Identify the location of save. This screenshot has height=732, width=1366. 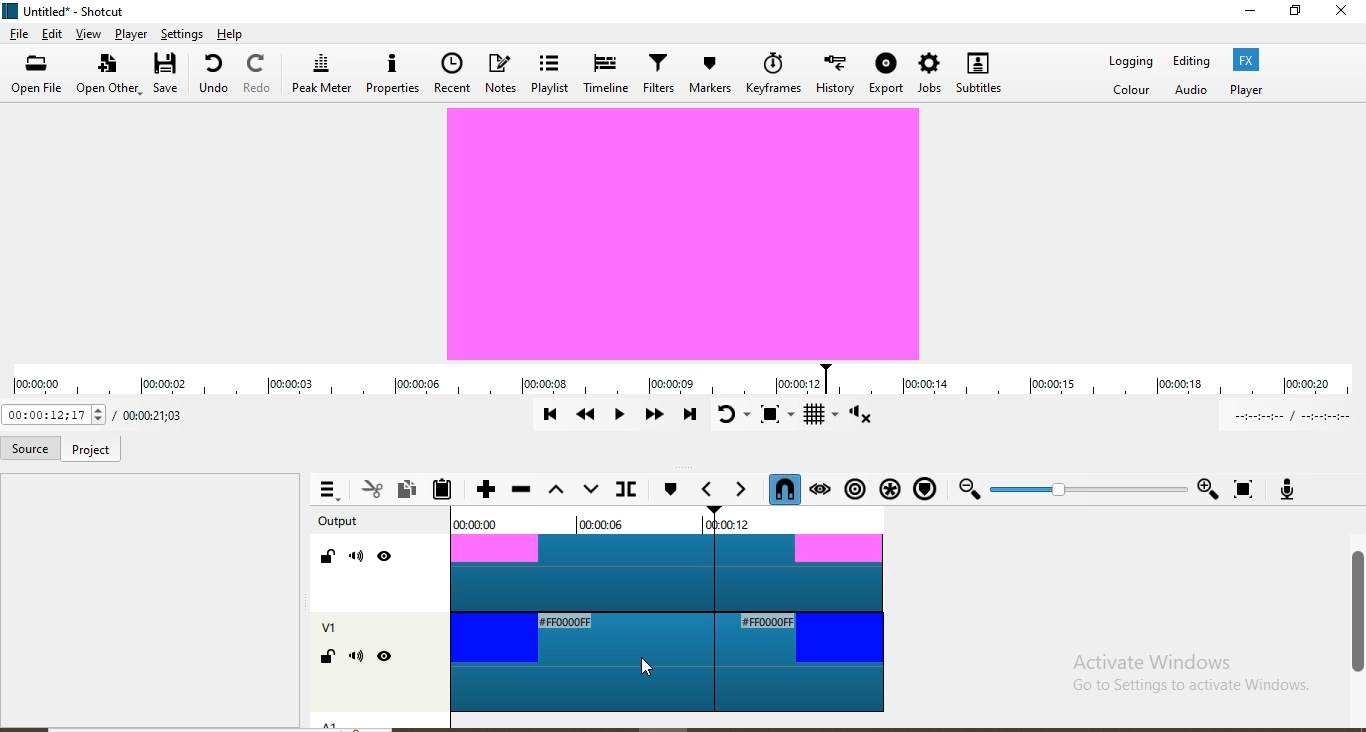
(170, 76).